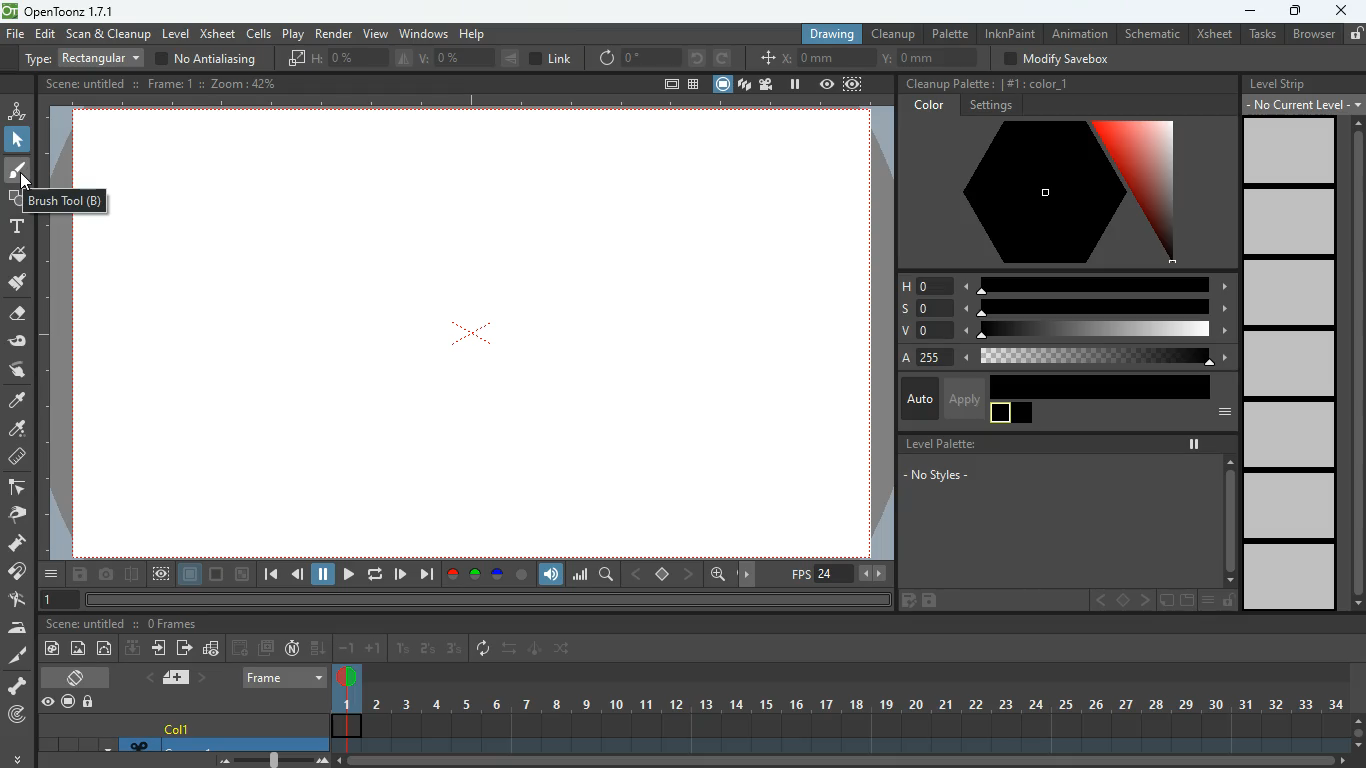 The width and height of the screenshot is (1366, 768). Describe the element at coordinates (18, 401) in the screenshot. I see `a` at that location.